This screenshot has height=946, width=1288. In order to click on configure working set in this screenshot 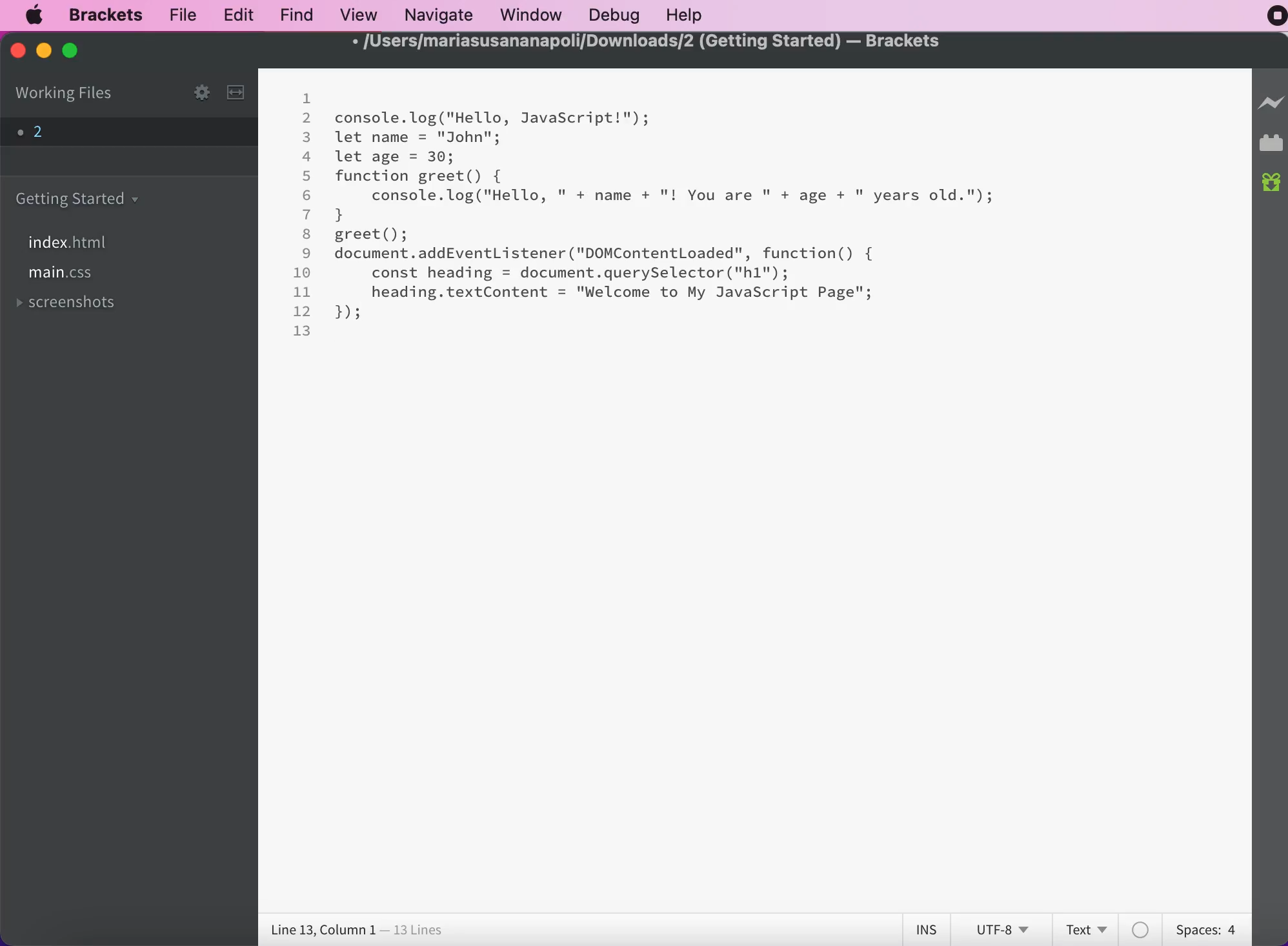, I will do `click(201, 92)`.